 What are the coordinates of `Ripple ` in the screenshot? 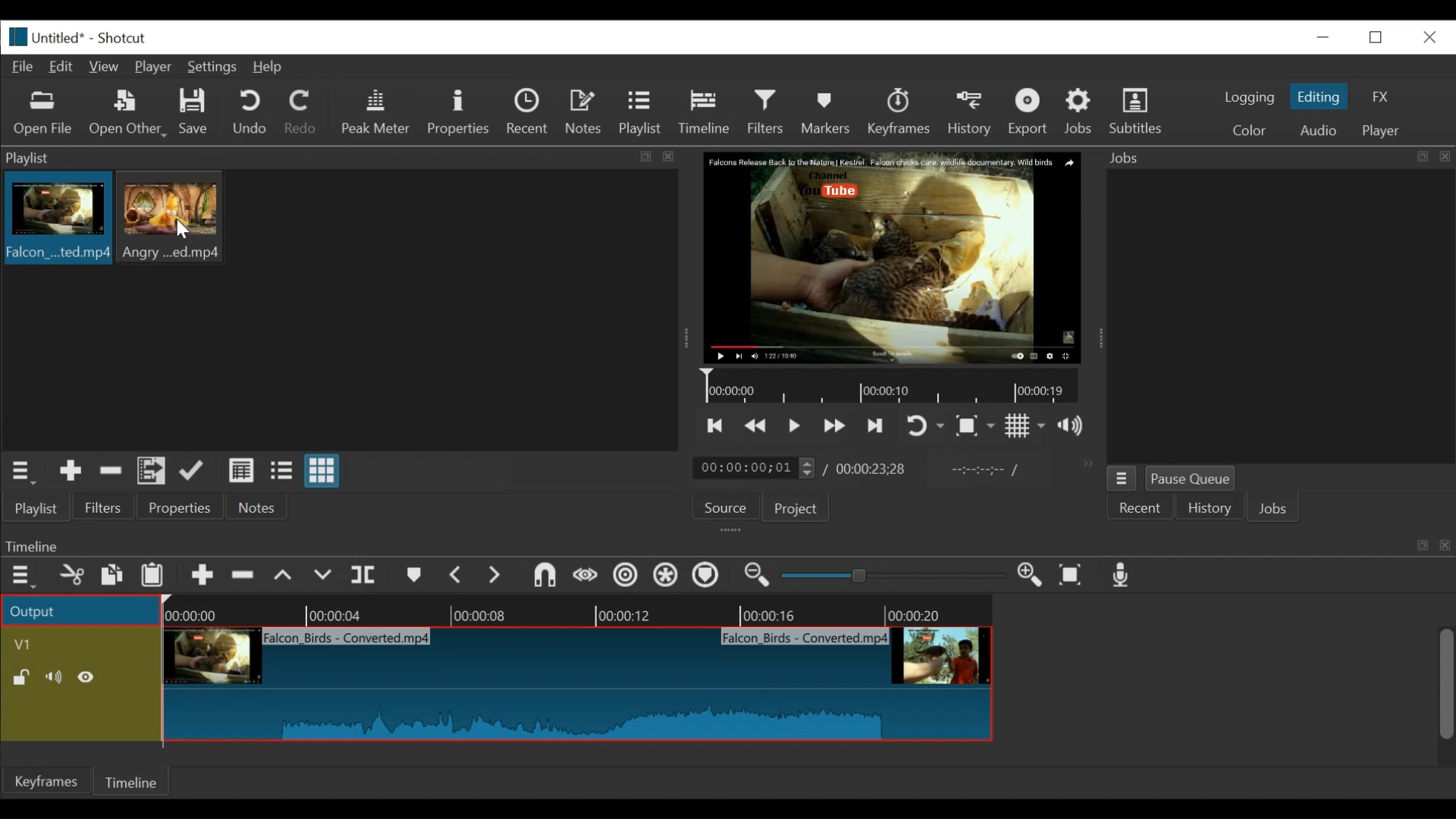 It's located at (626, 577).